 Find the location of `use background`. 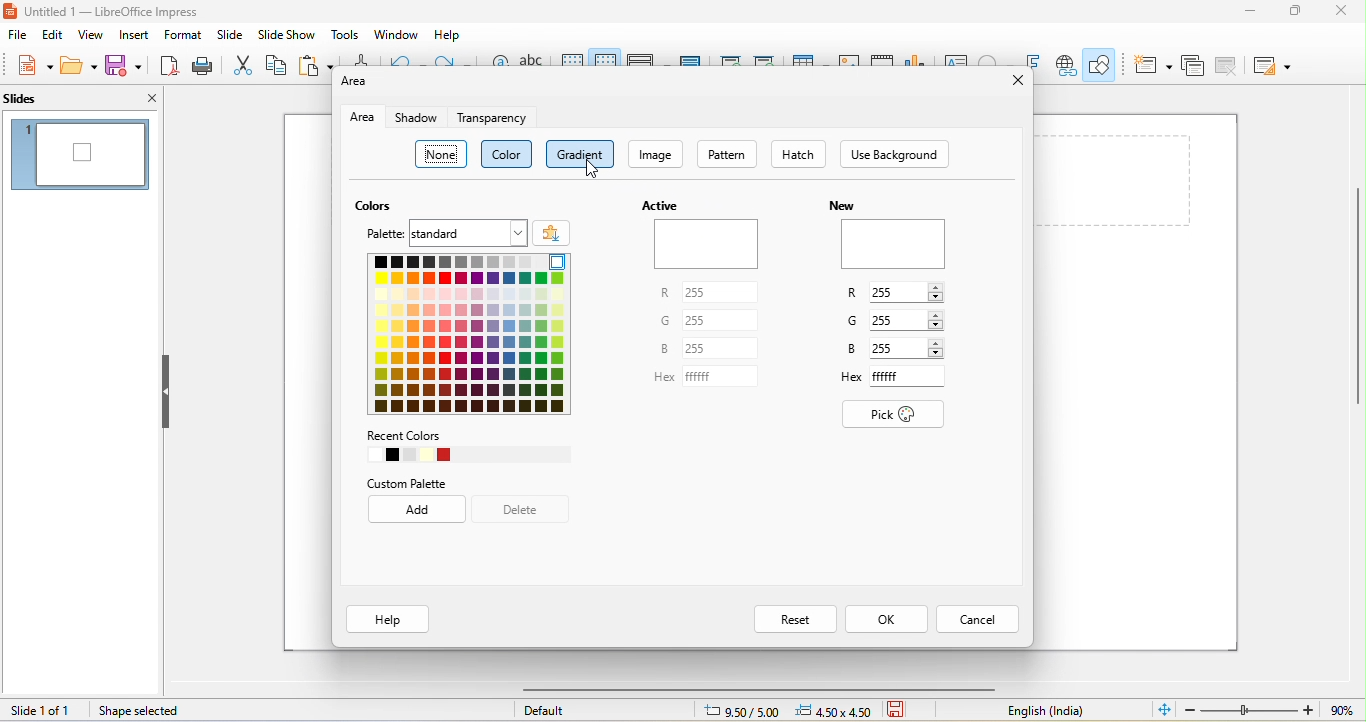

use background is located at coordinates (896, 155).